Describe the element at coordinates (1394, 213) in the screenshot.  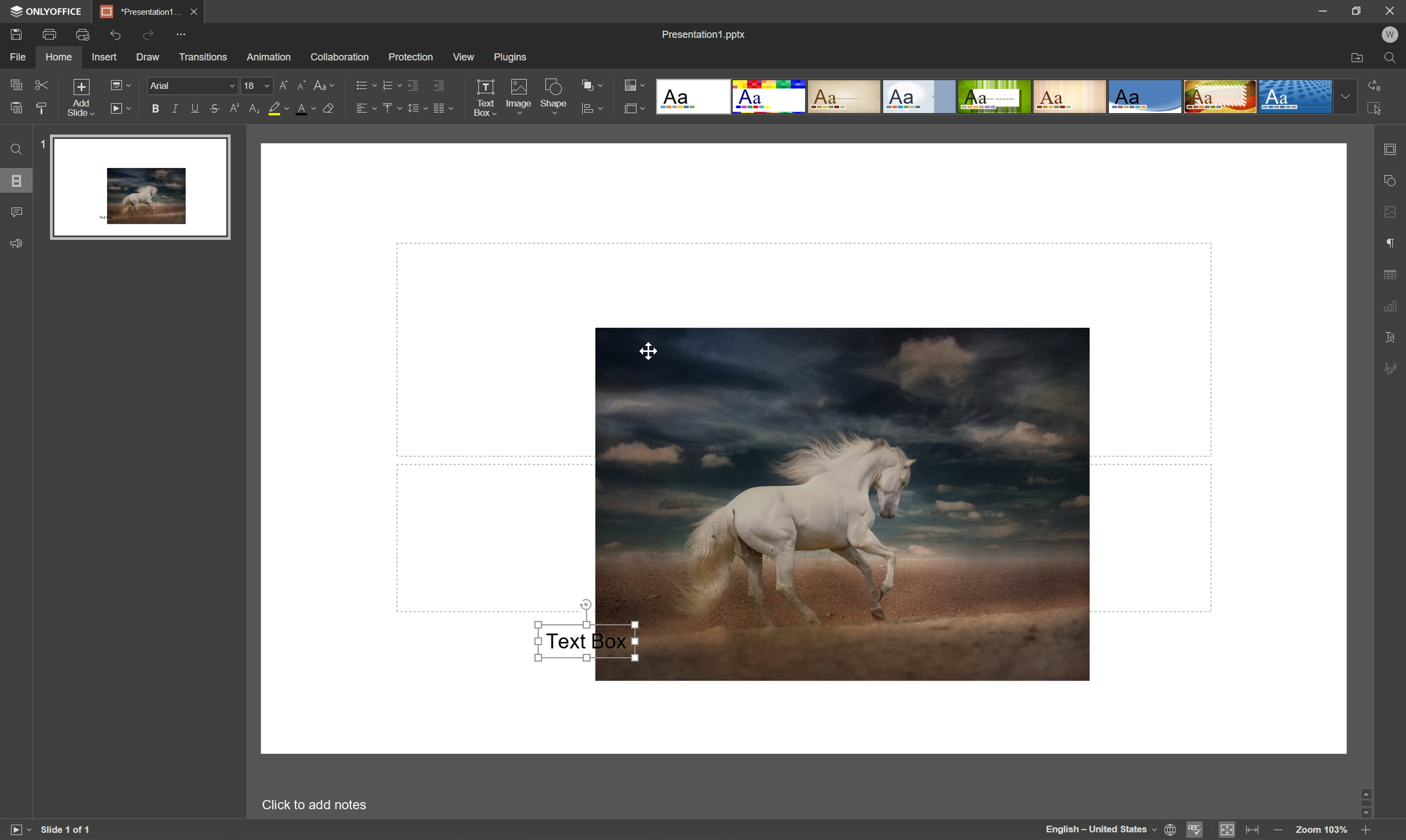
I see `Image settings` at that location.